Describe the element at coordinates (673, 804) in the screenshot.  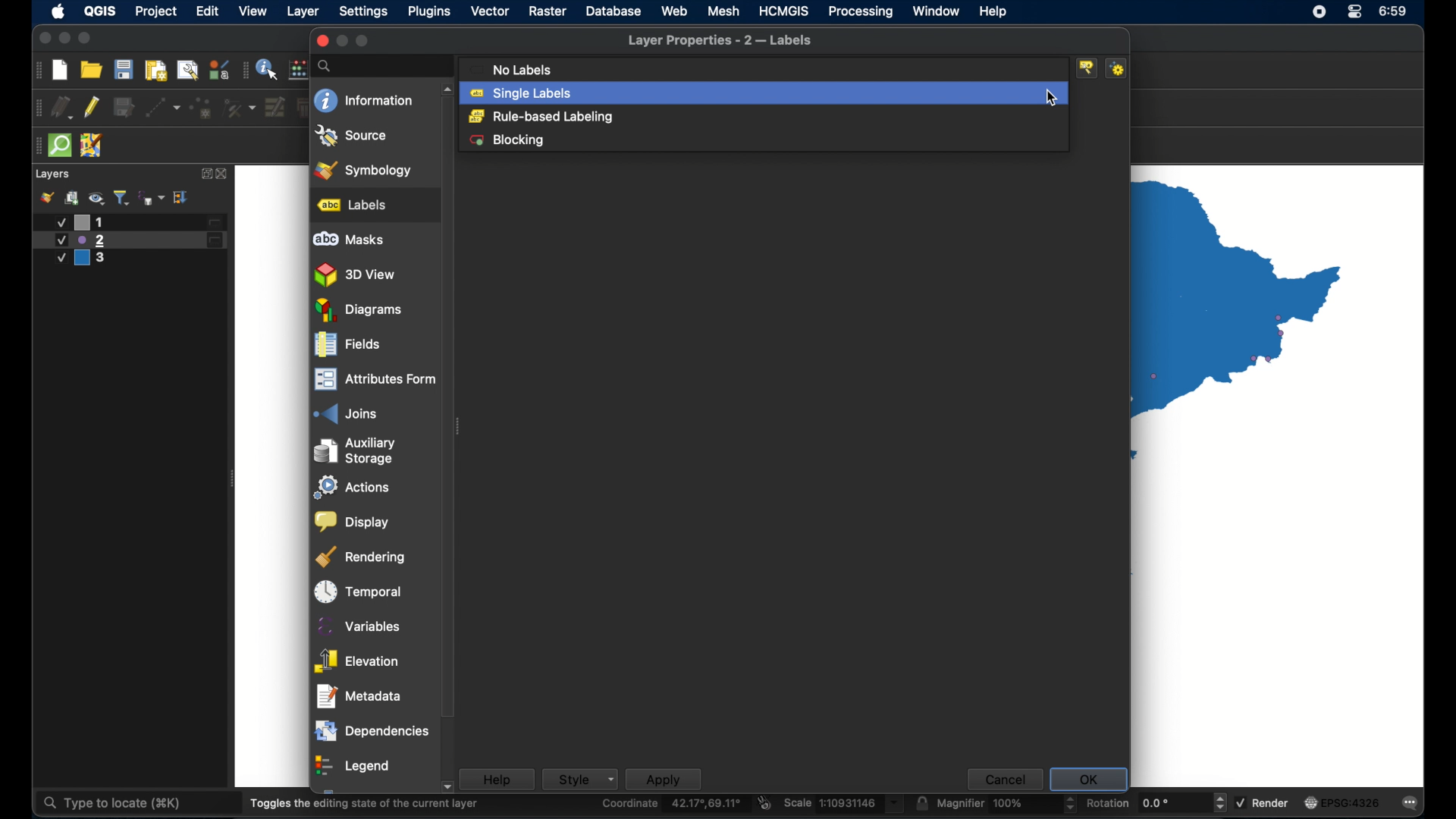
I see `coordinate` at that location.